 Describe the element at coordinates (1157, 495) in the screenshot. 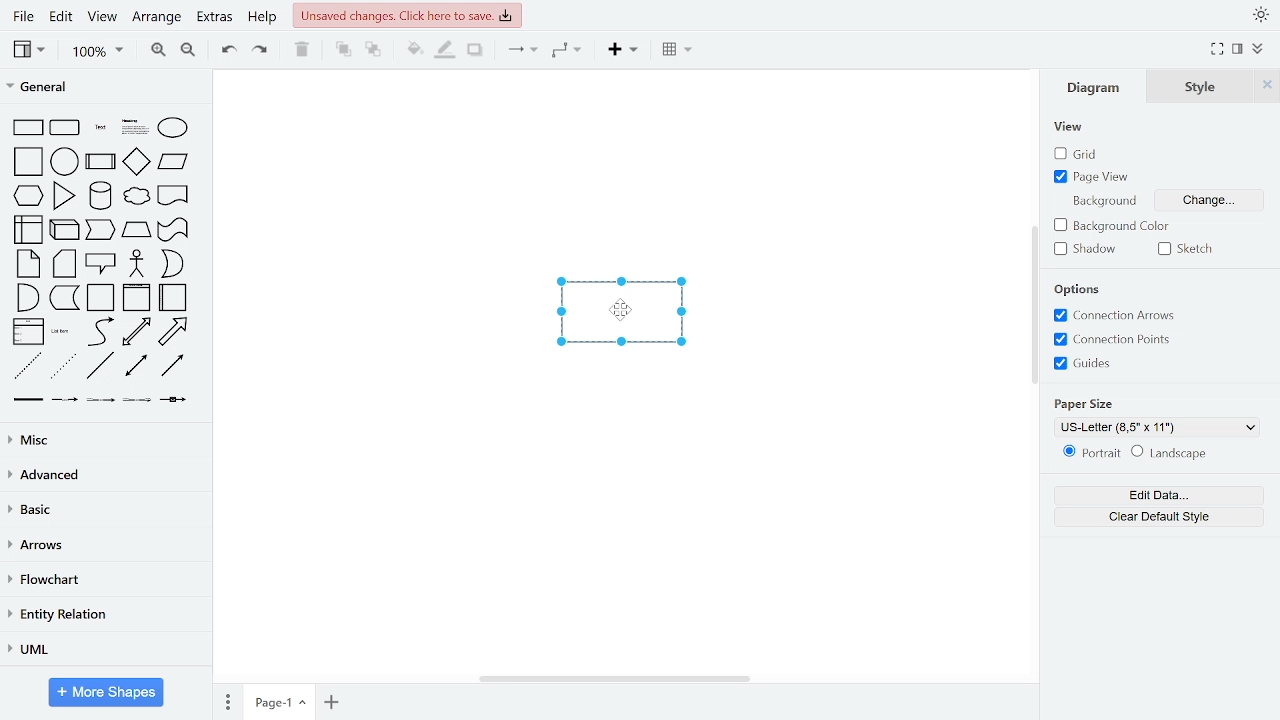

I see `edit data` at that location.